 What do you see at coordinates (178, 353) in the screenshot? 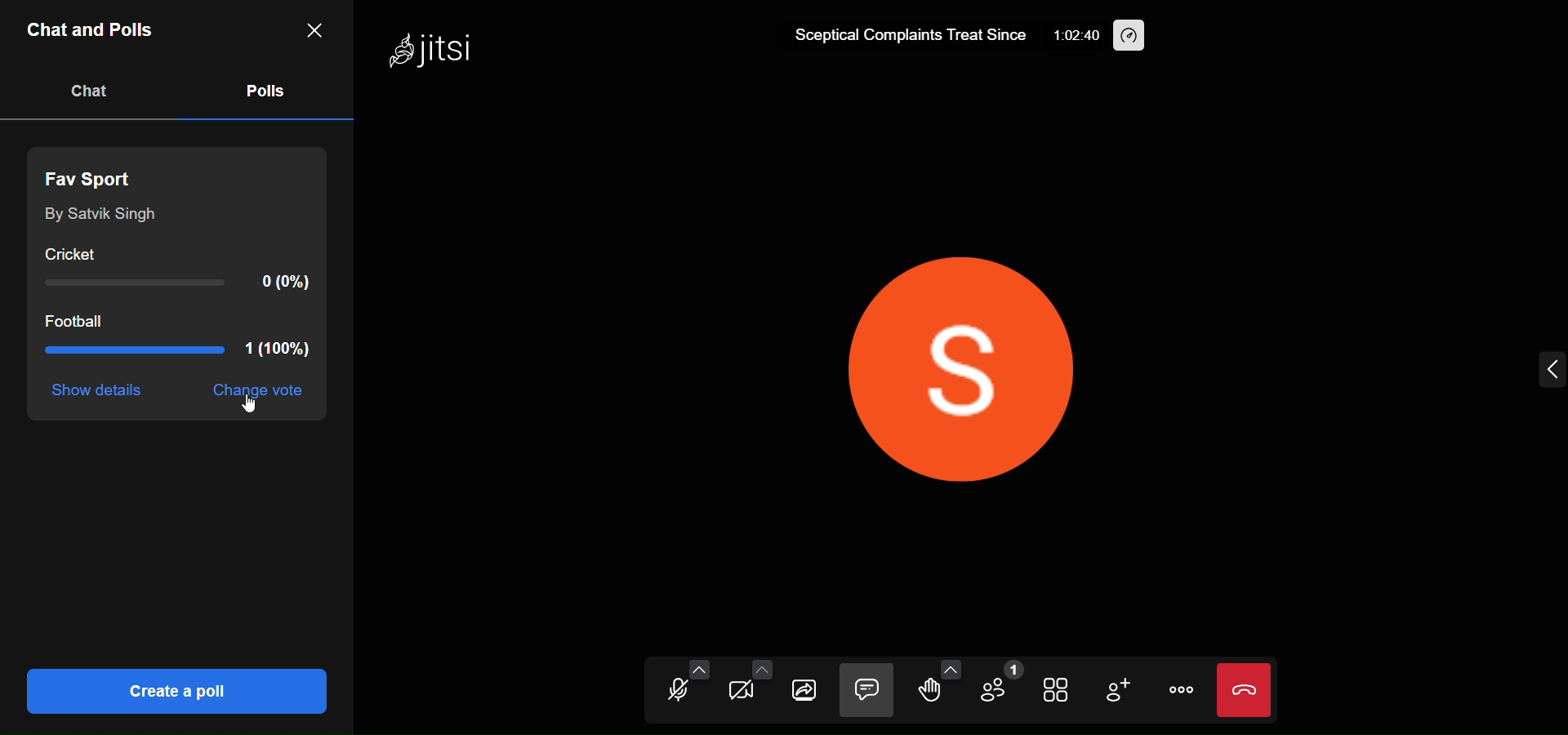
I see `option 2 result` at bounding box center [178, 353].